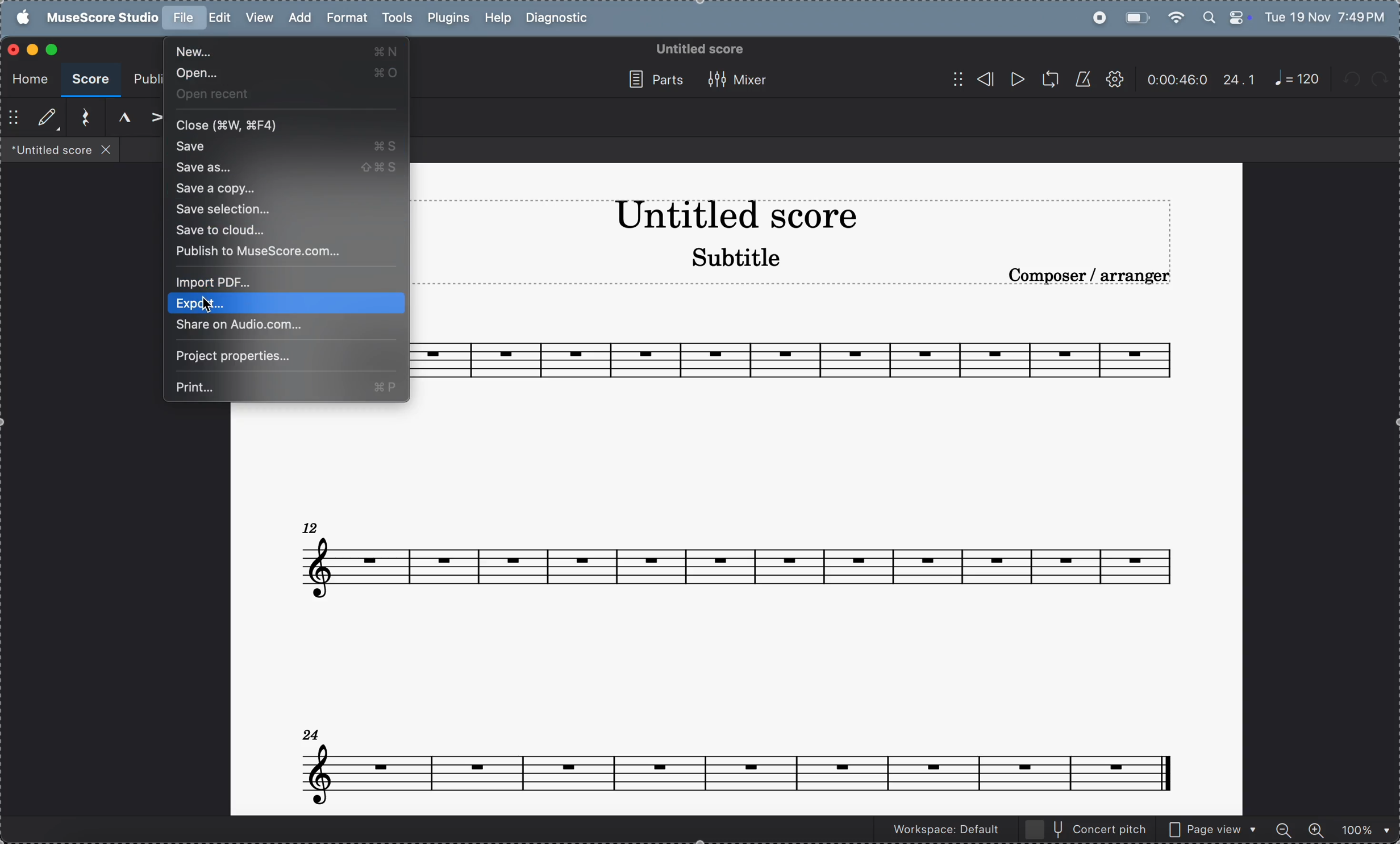 The image size is (1400, 844). Describe the element at coordinates (298, 17) in the screenshot. I see `add` at that location.